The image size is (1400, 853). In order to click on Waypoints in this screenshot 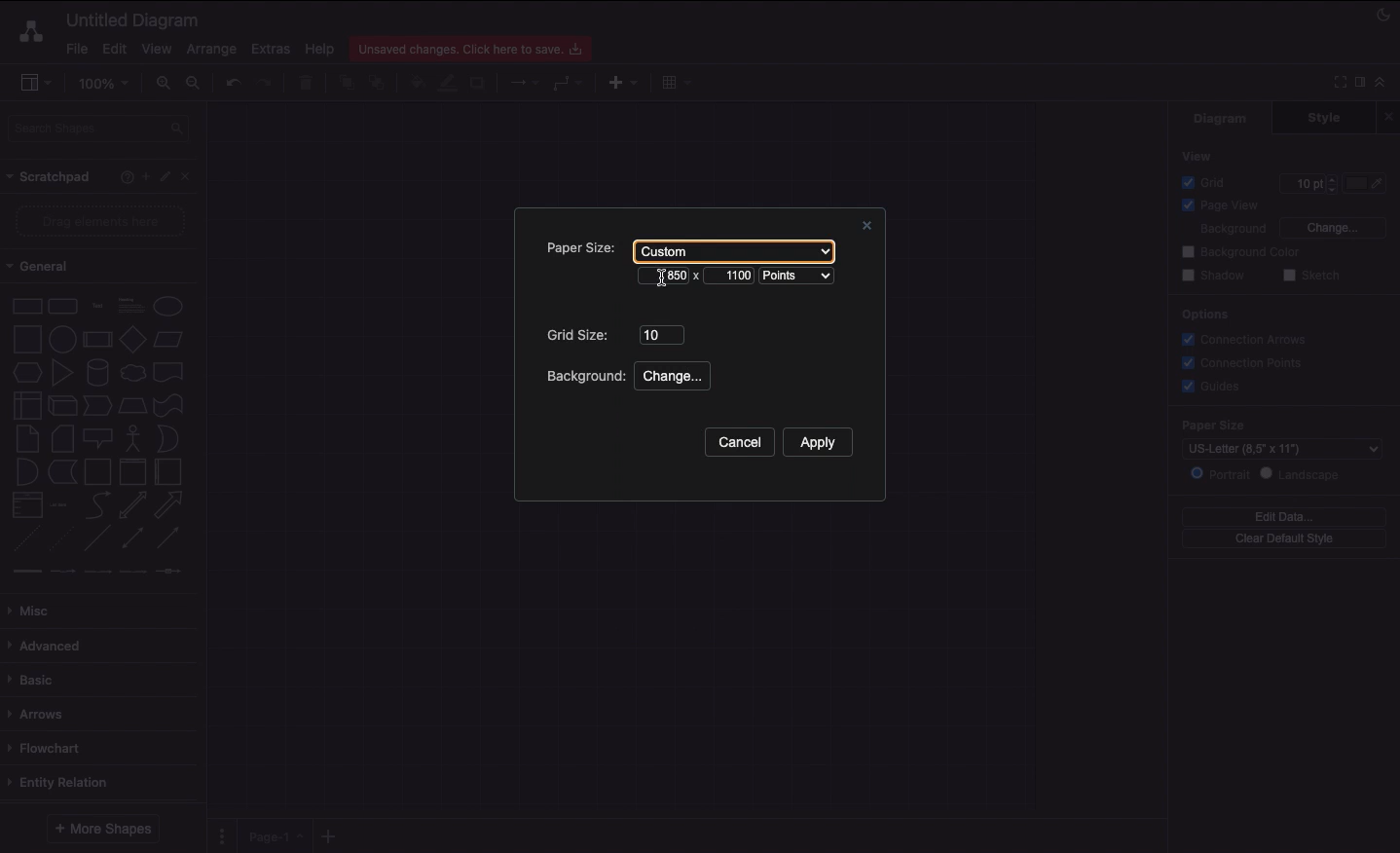, I will do `click(569, 85)`.